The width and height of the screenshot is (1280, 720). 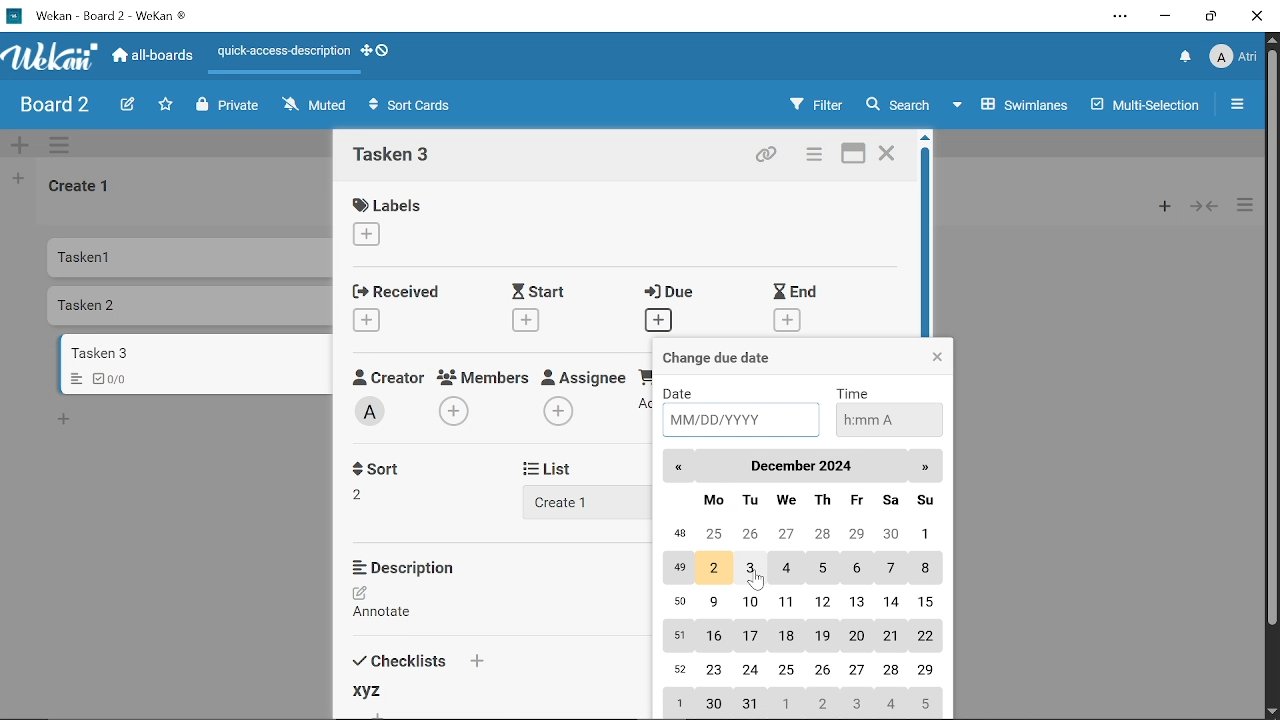 What do you see at coordinates (1209, 19) in the screenshot?
I see `Restore down` at bounding box center [1209, 19].